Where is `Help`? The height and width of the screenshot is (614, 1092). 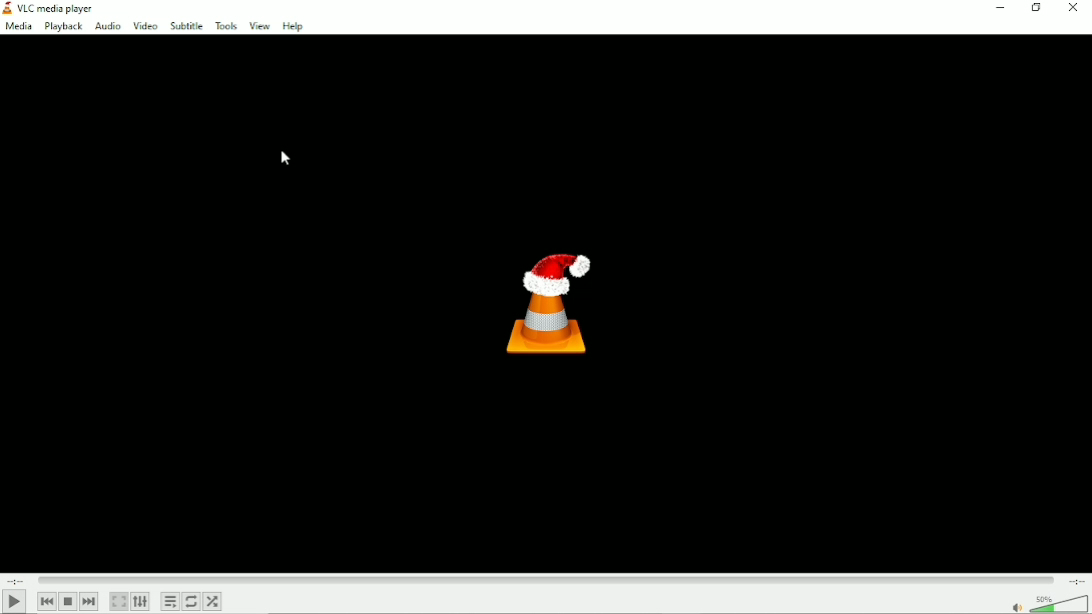 Help is located at coordinates (300, 25).